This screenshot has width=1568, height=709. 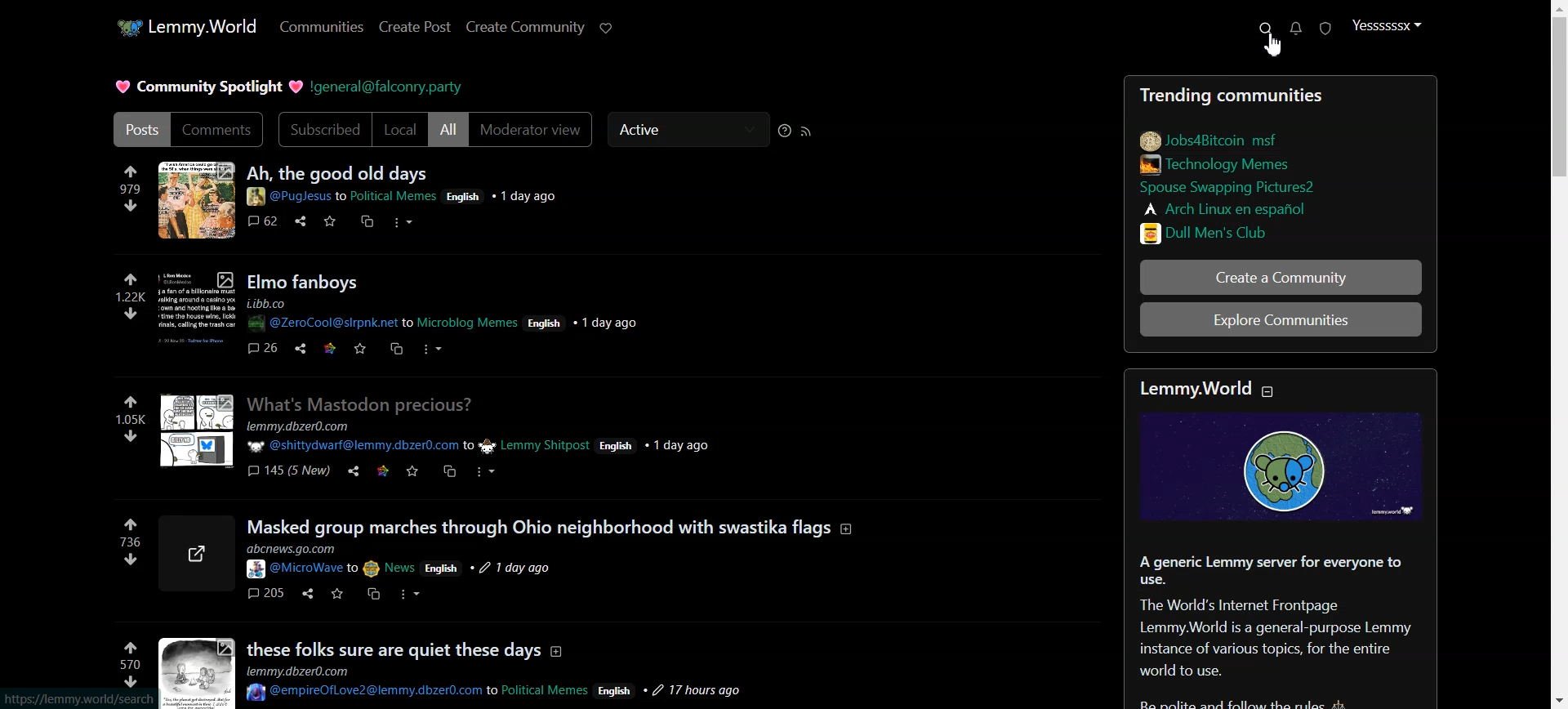 What do you see at coordinates (497, 683) in the screenshot?
I see `post details` at bounding box center [497, 683].